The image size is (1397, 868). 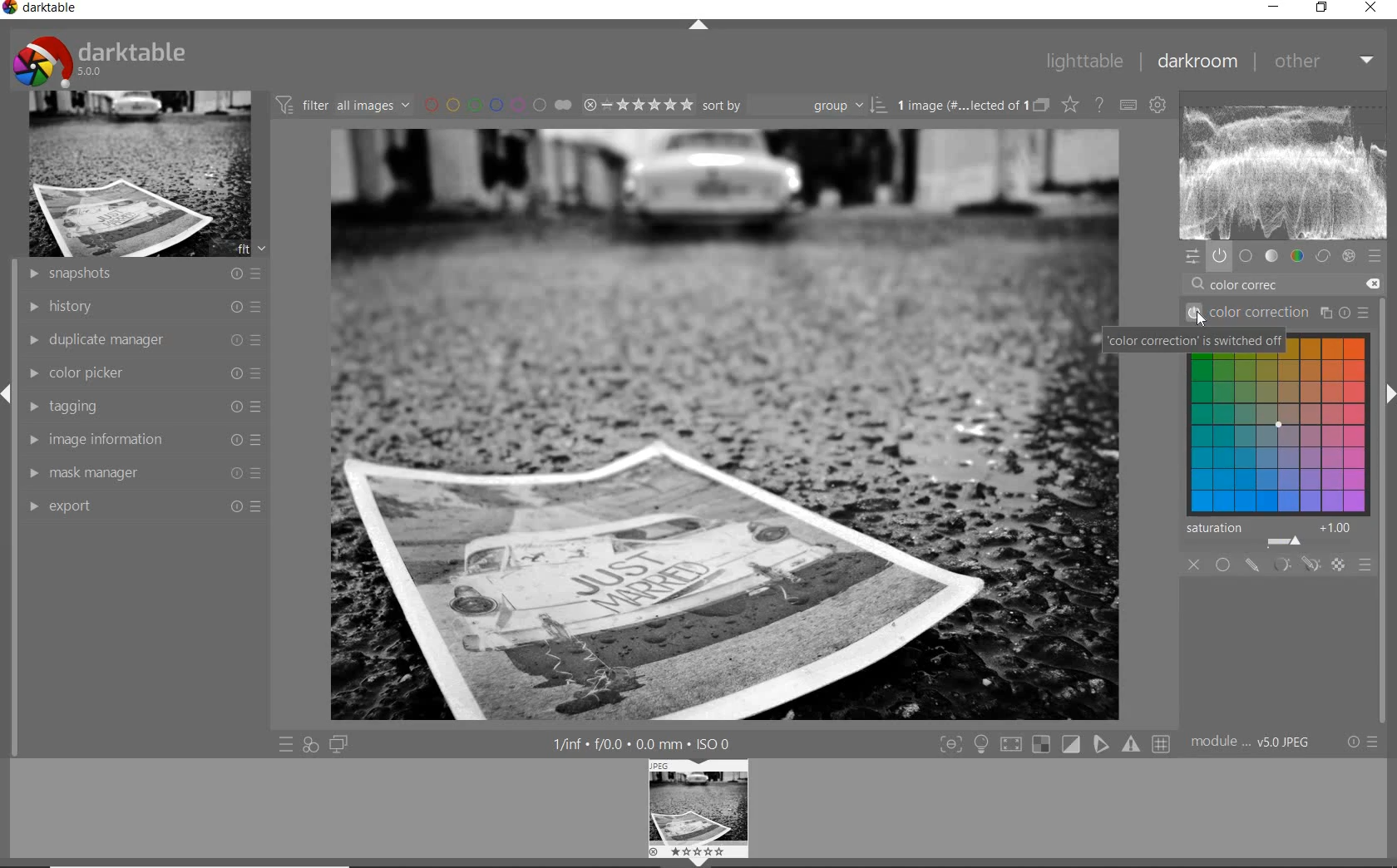 I want to click on scollbar, so click(x=1386, y=333).